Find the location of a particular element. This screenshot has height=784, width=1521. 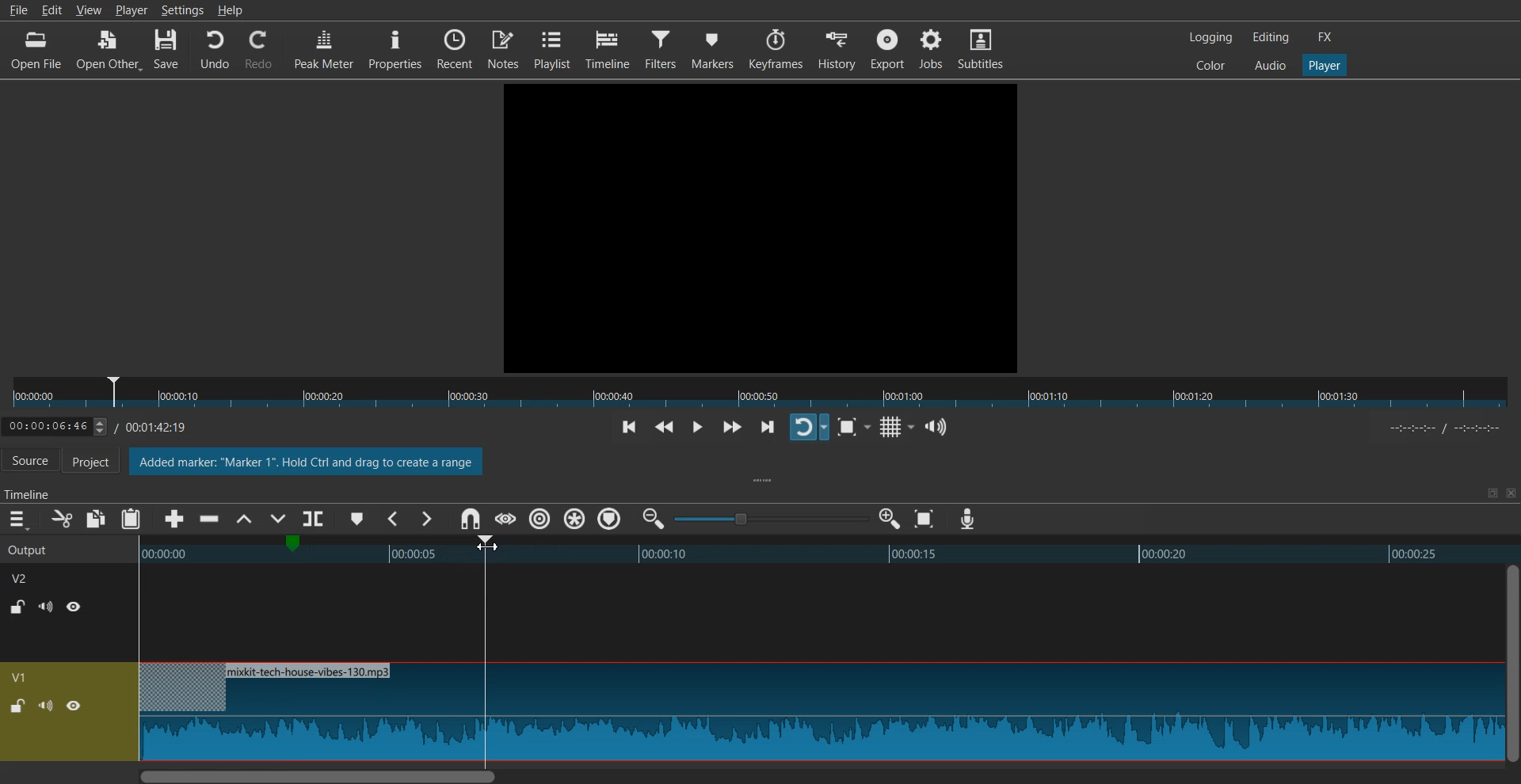

Filters is located at coordinates (661, 48).